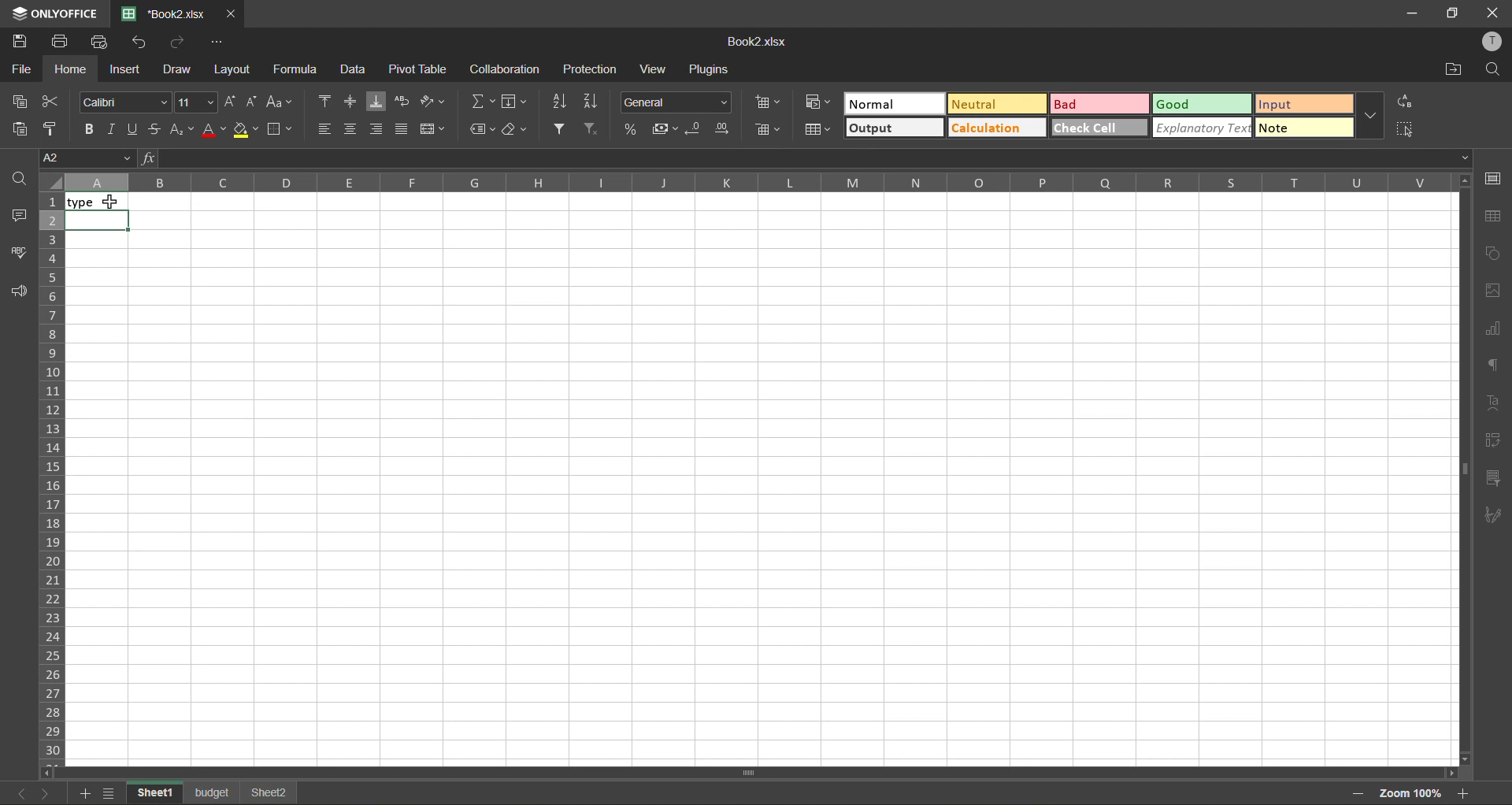 This screenshot has height=805, width=1512. What do you see at coordinates (563, 101) in the screenshot?
I see `sort ascending` at bounding box center [563, 101].